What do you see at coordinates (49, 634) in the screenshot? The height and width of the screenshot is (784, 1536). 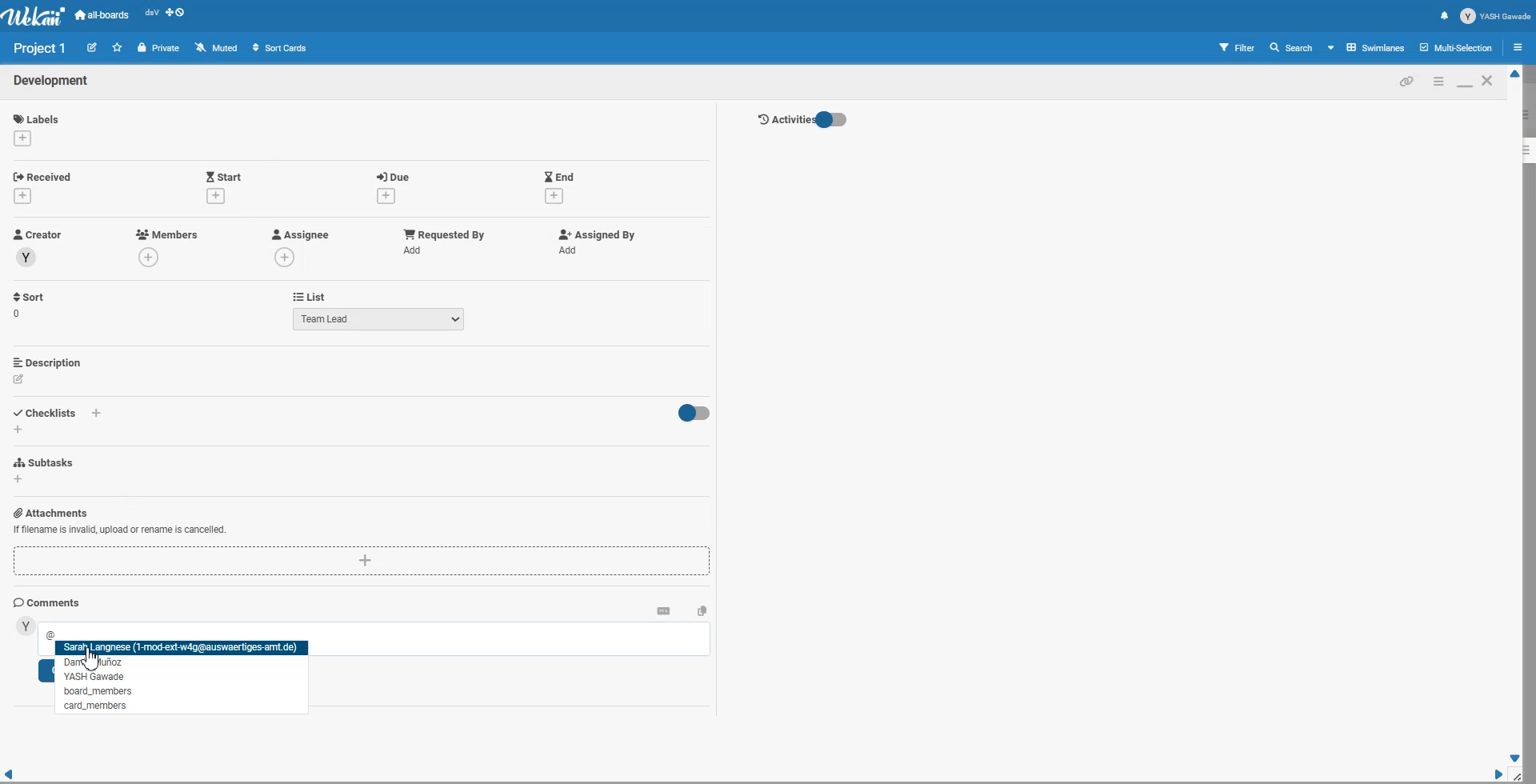 I see `@` at bounding box center [49, 634].